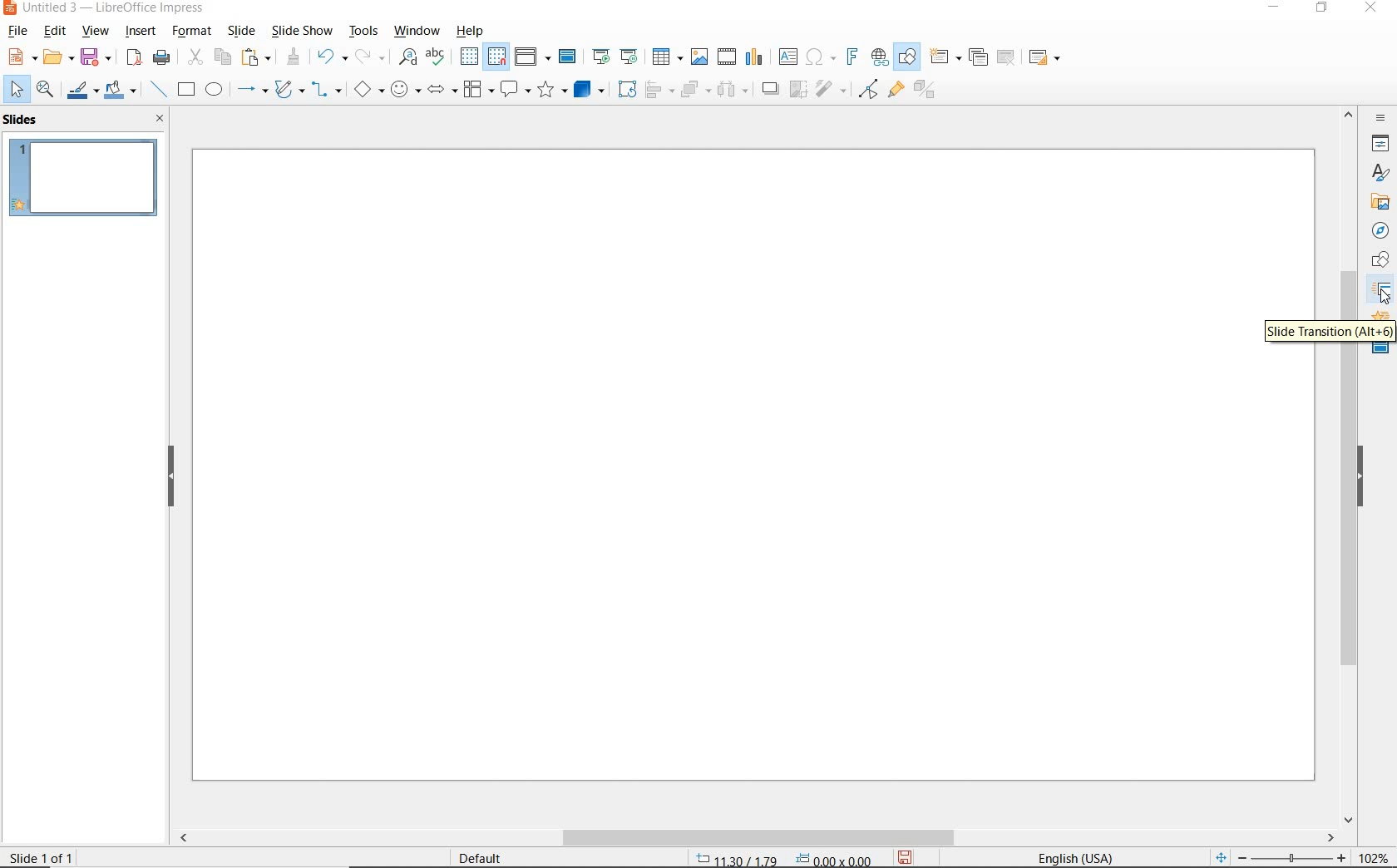  I want to click on PRINT, so click(162, 60).